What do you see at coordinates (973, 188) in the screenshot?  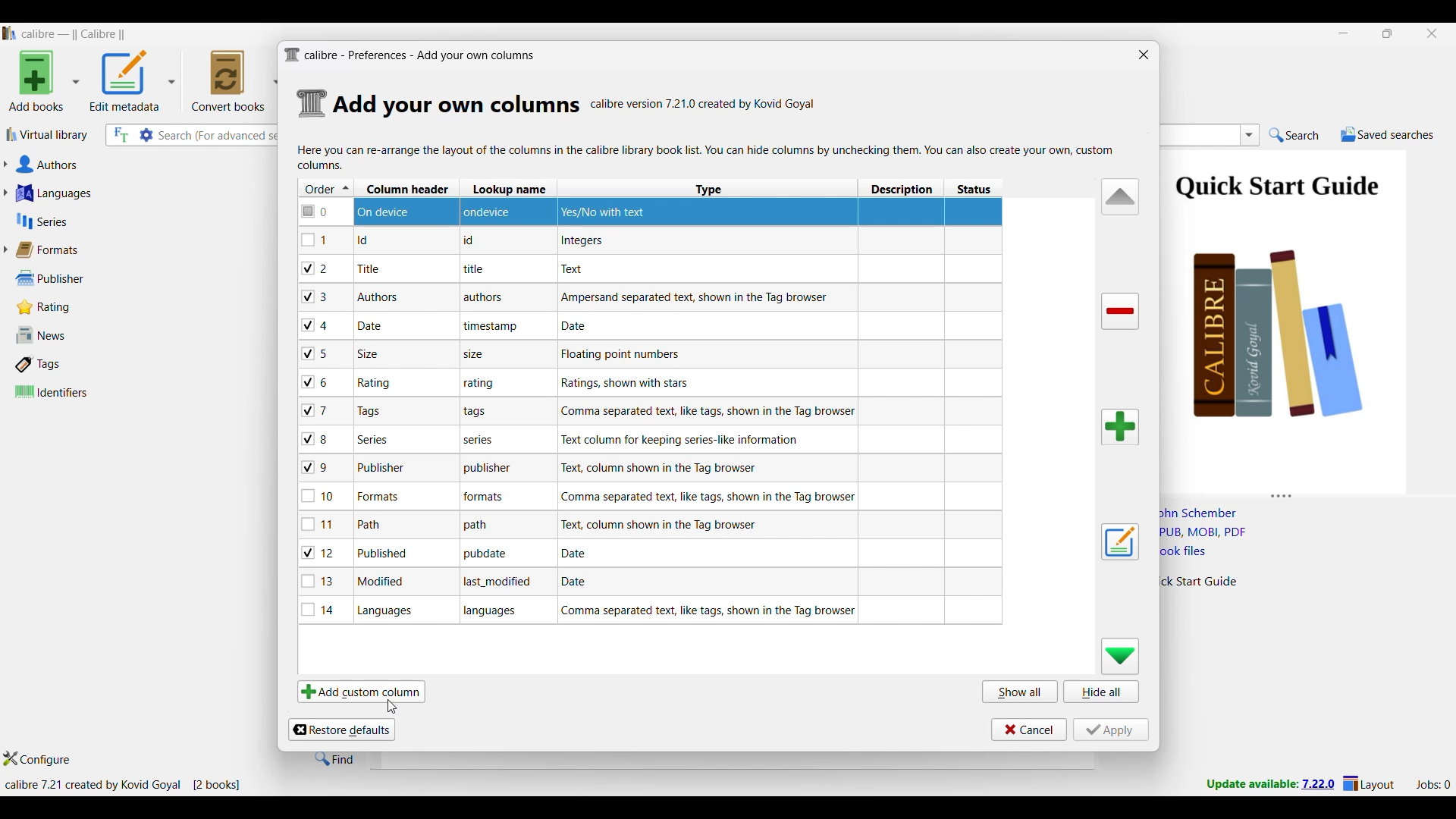 I see `Status column` at bounding box center [973, 188].